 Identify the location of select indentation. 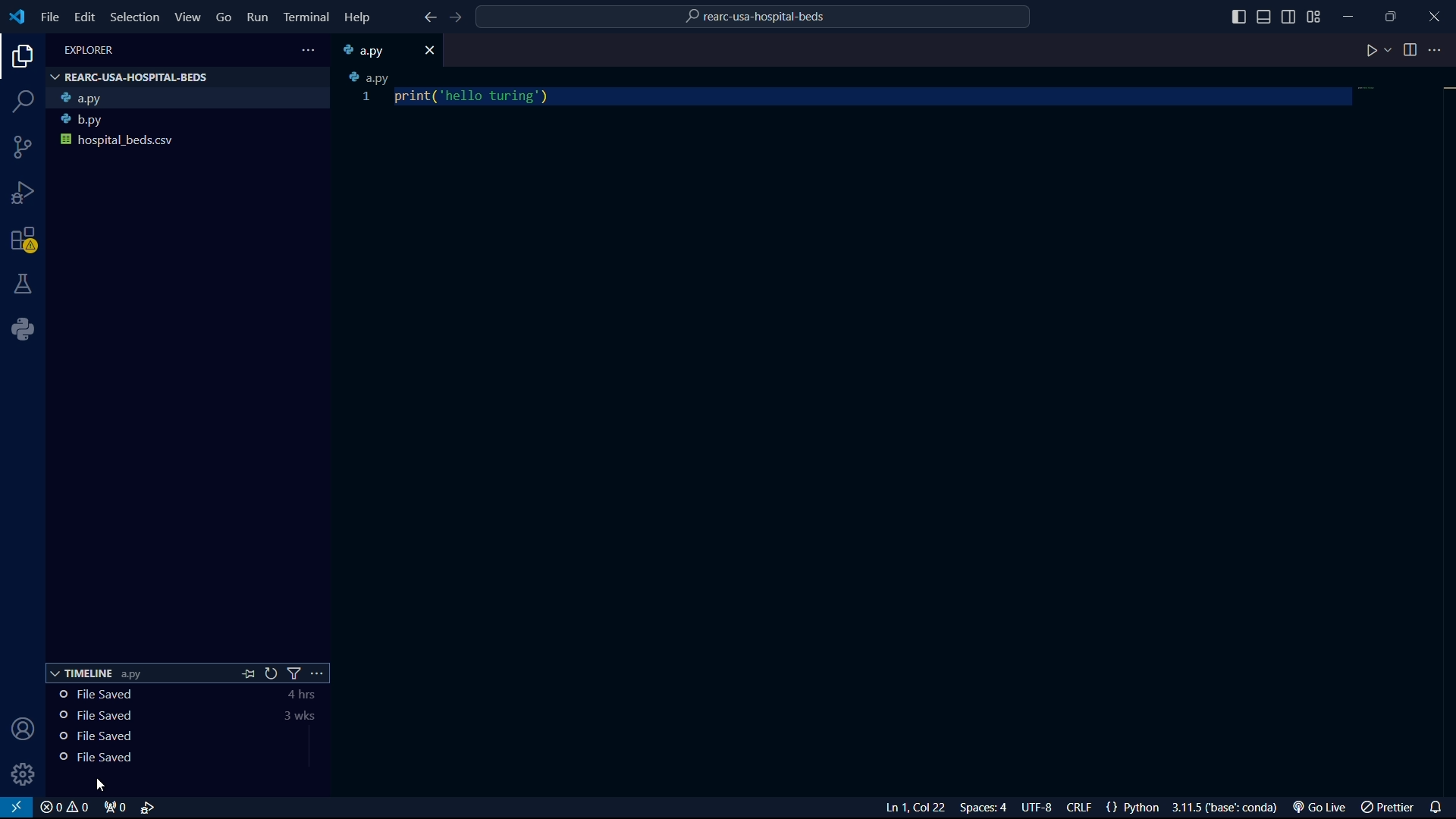
(984, 809).